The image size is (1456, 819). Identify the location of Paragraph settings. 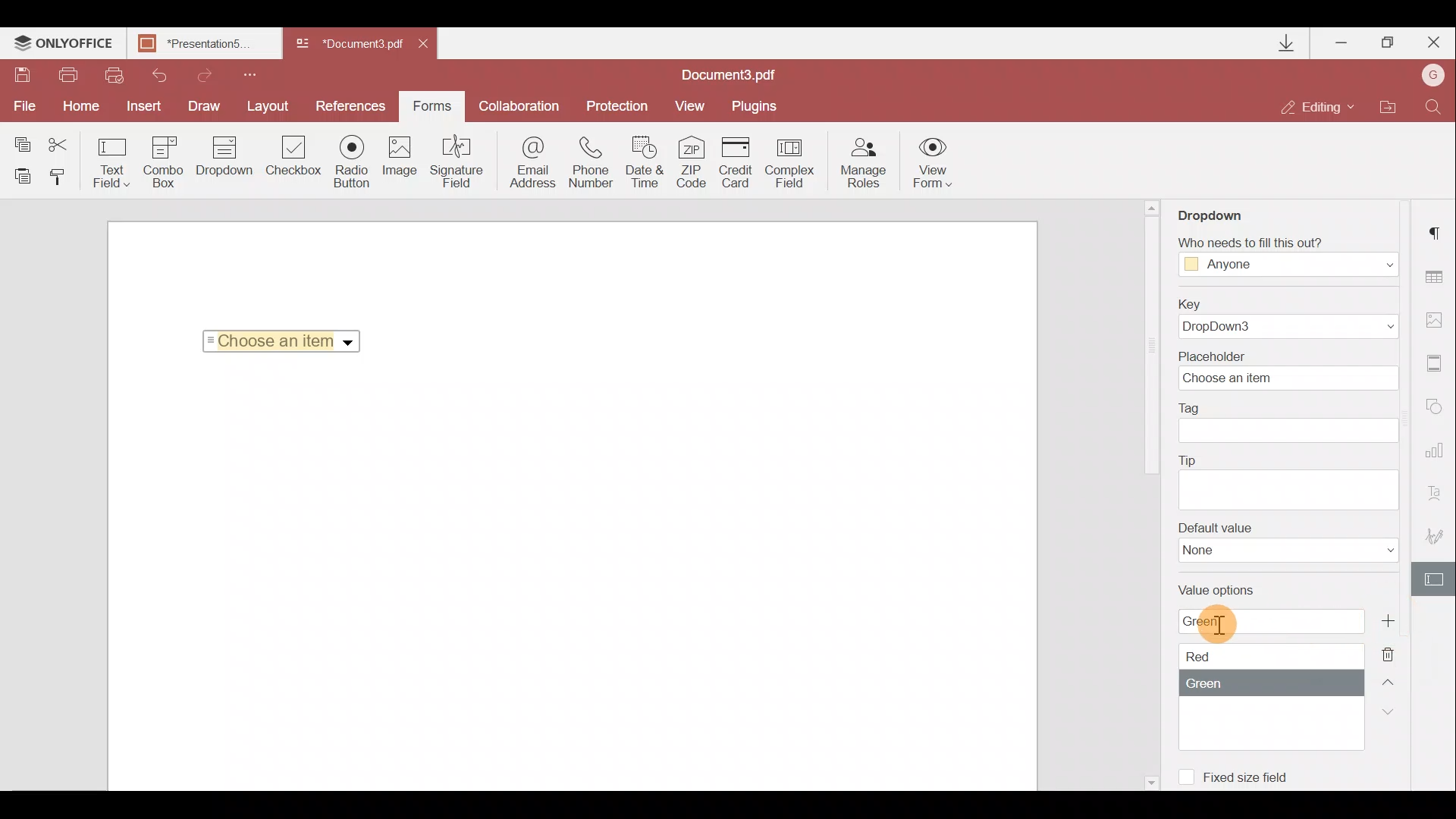
(1439, 231).